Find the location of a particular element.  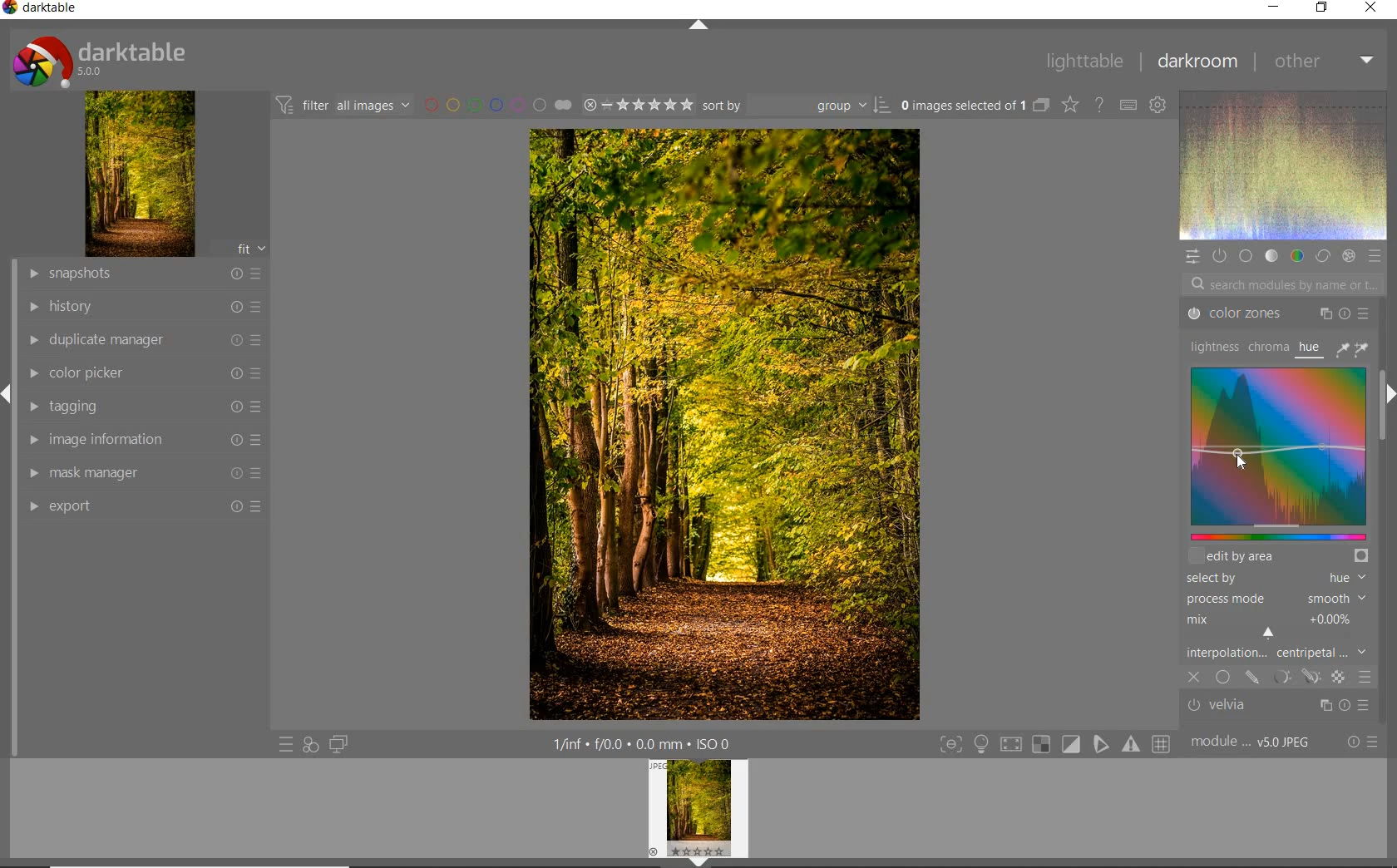

QUICK ACCESS FOR APPLYING OF YOUR STYLES is located at coordinates (309, 745).